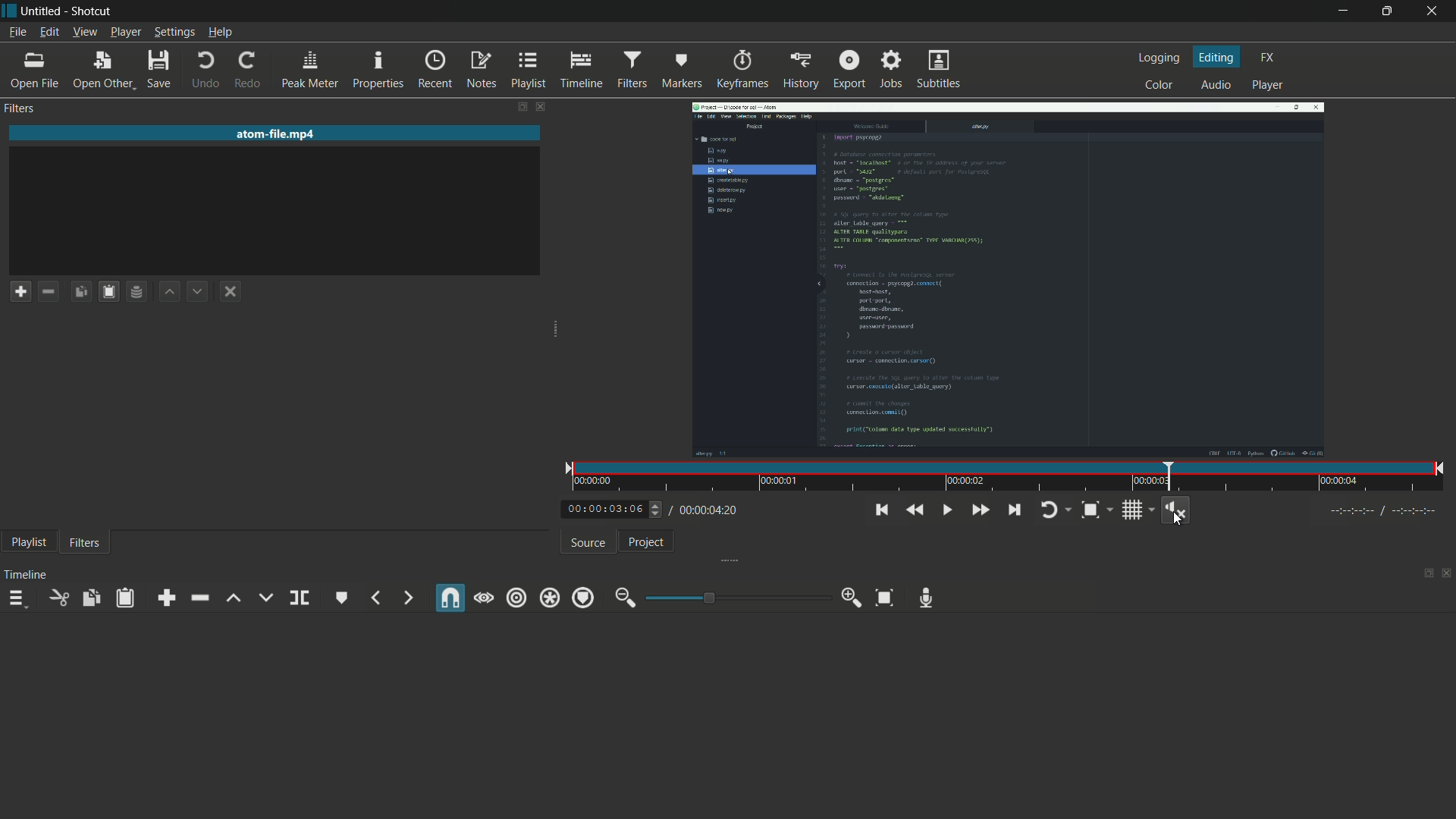  I want to click on paste filters, so click(108, 291).